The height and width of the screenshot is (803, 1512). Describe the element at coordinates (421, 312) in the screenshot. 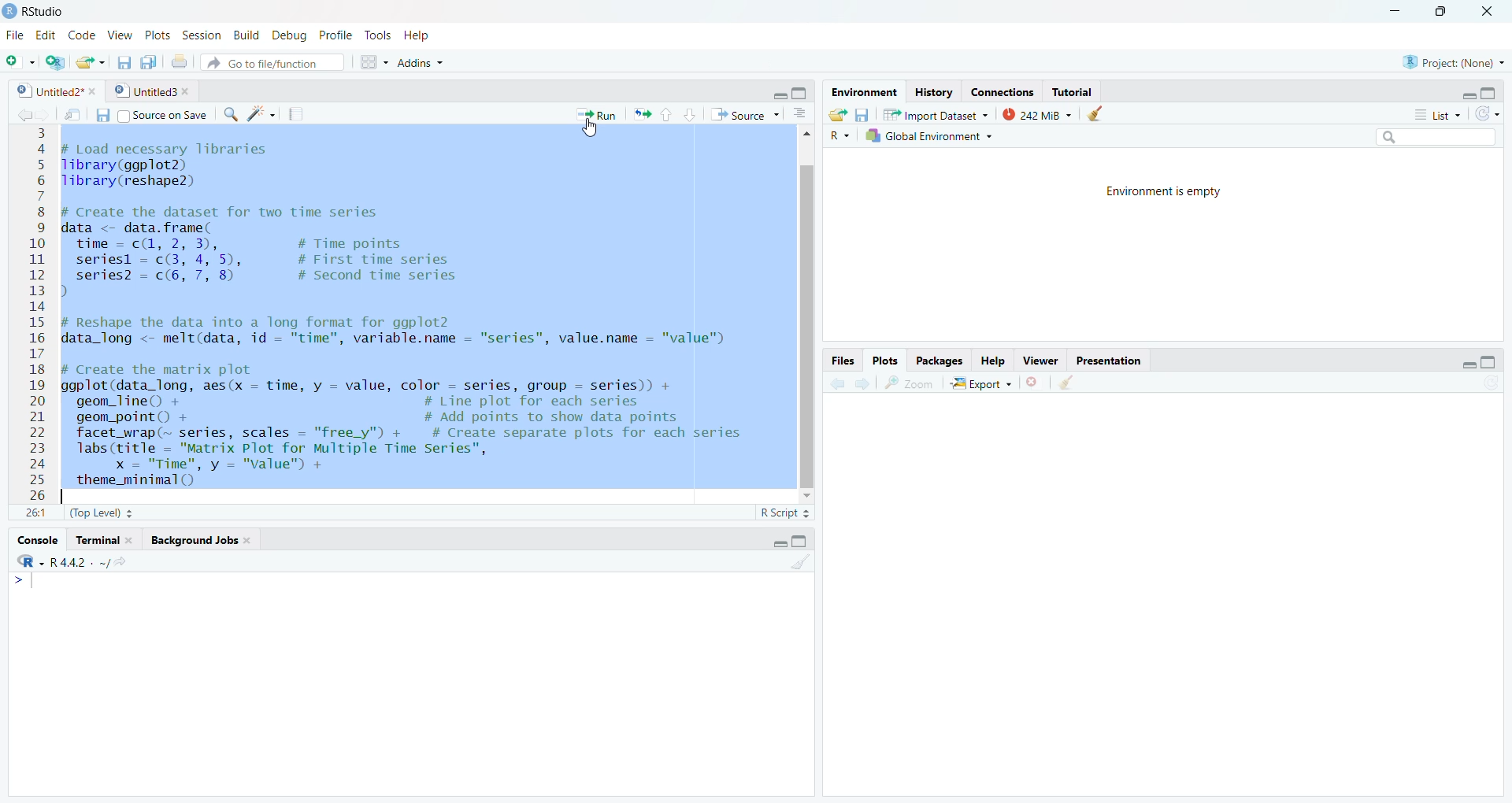

I see `# Load necessary libraries
Tibrary(ggplot2)
Tibrary(reshape2)
# Create the dataset for two time series
data <- data.frame(
Tlie = Gl, 2; I # Time points
seriesl = c(3, 4, 5), # First time series
series? = c(6, 7, 8) # Second time series
)
# Reshape the data into a long format for ggplot2
data_long <- melt(data, id = "time", variable.name = "series", value.name = "value")
# Create the matrix plot
ggplot(data_long, aes(x - time, y — value, color — series, group — series)) +
geom_line() + # Line plot for each series
geom_point() + # Add points to show data points
facet_wrap(~ series, scales = "free_y") + # Create separate plots for each series
labs (title = "Matrix Plot for Multiple Time Series",
x = "Time", y = "value" +
theme minimal ()` at that location.